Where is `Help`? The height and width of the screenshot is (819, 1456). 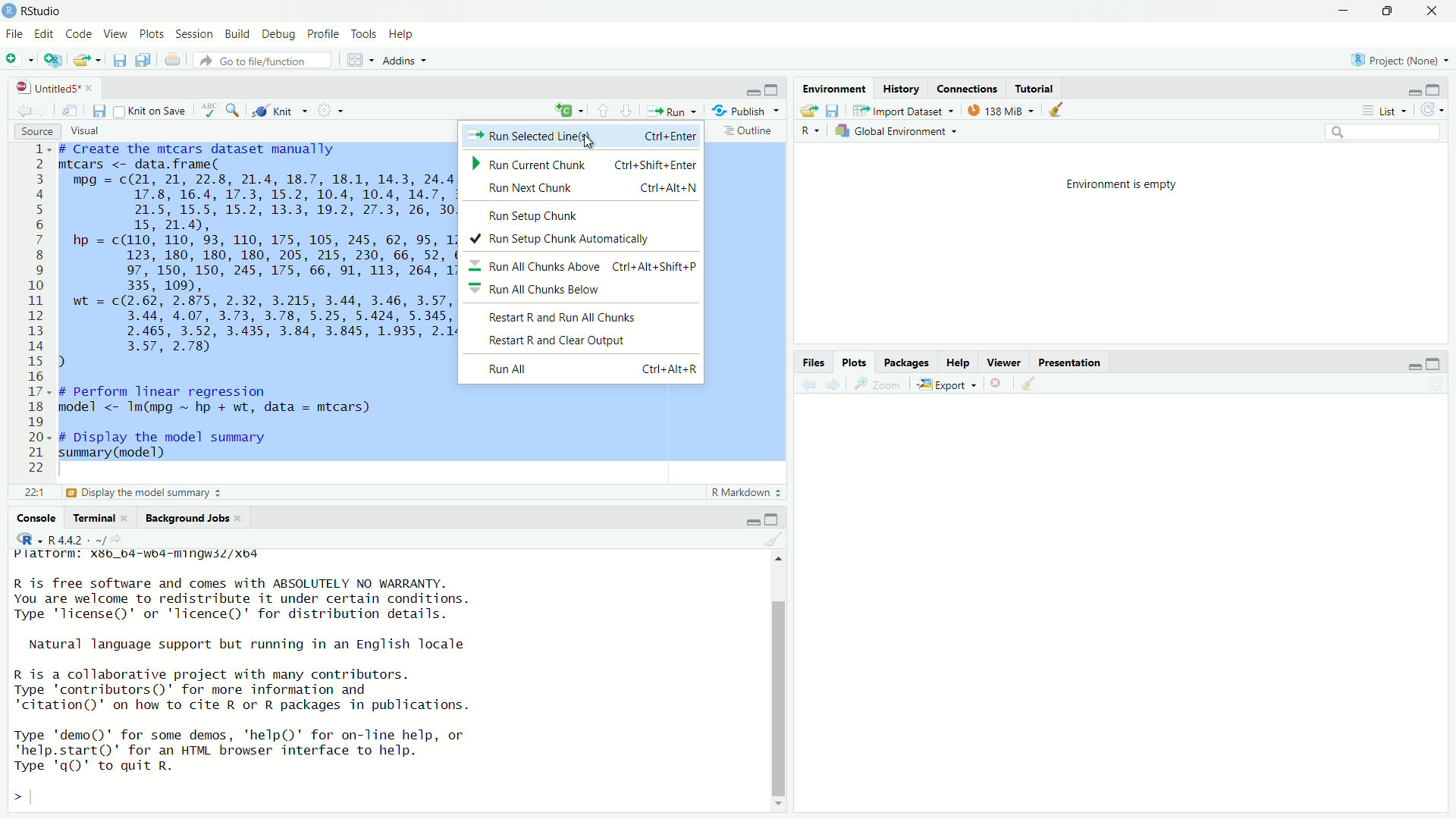 Help is located at coordinates (958, 363).